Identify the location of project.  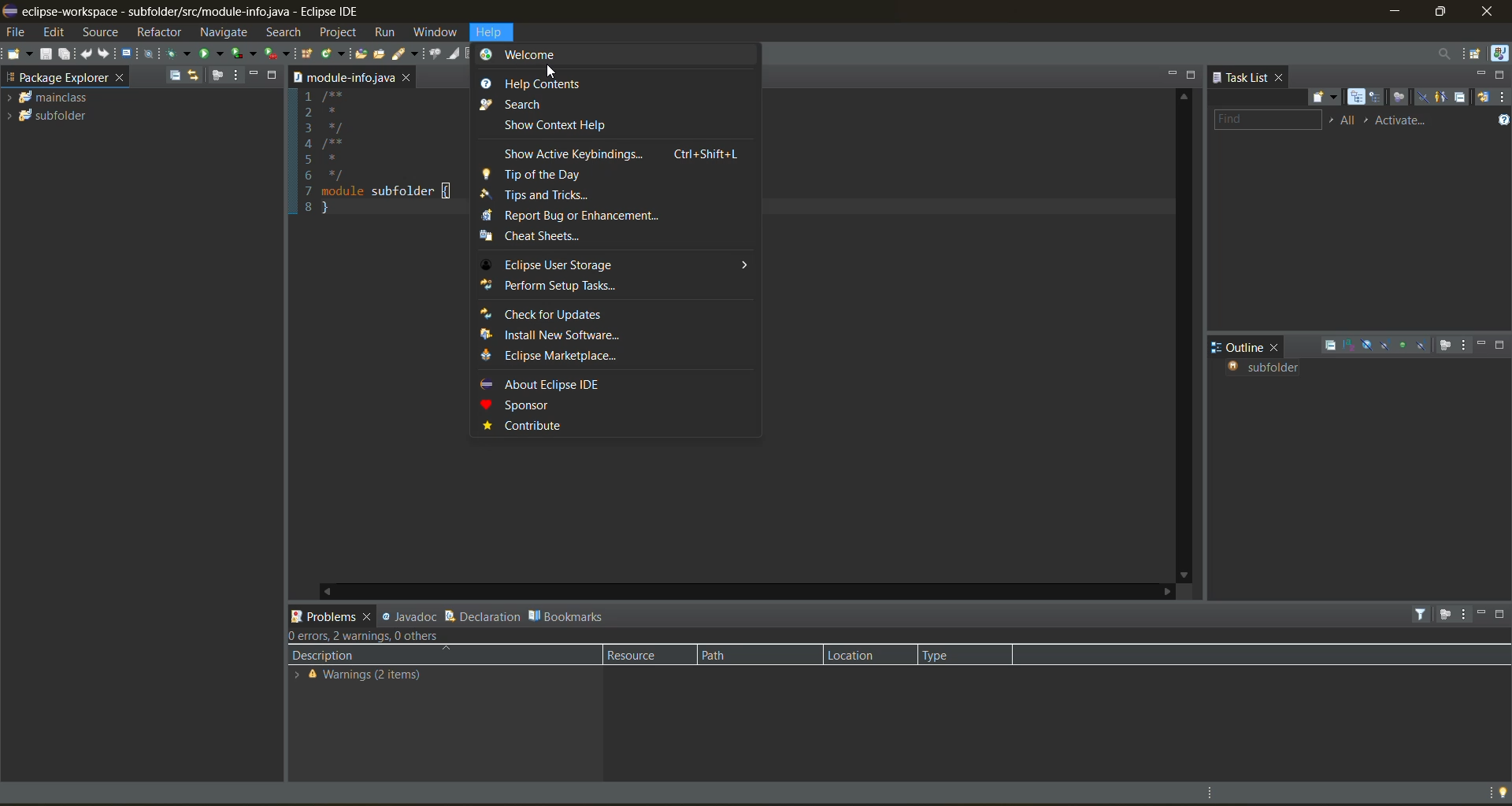
(336, 31).